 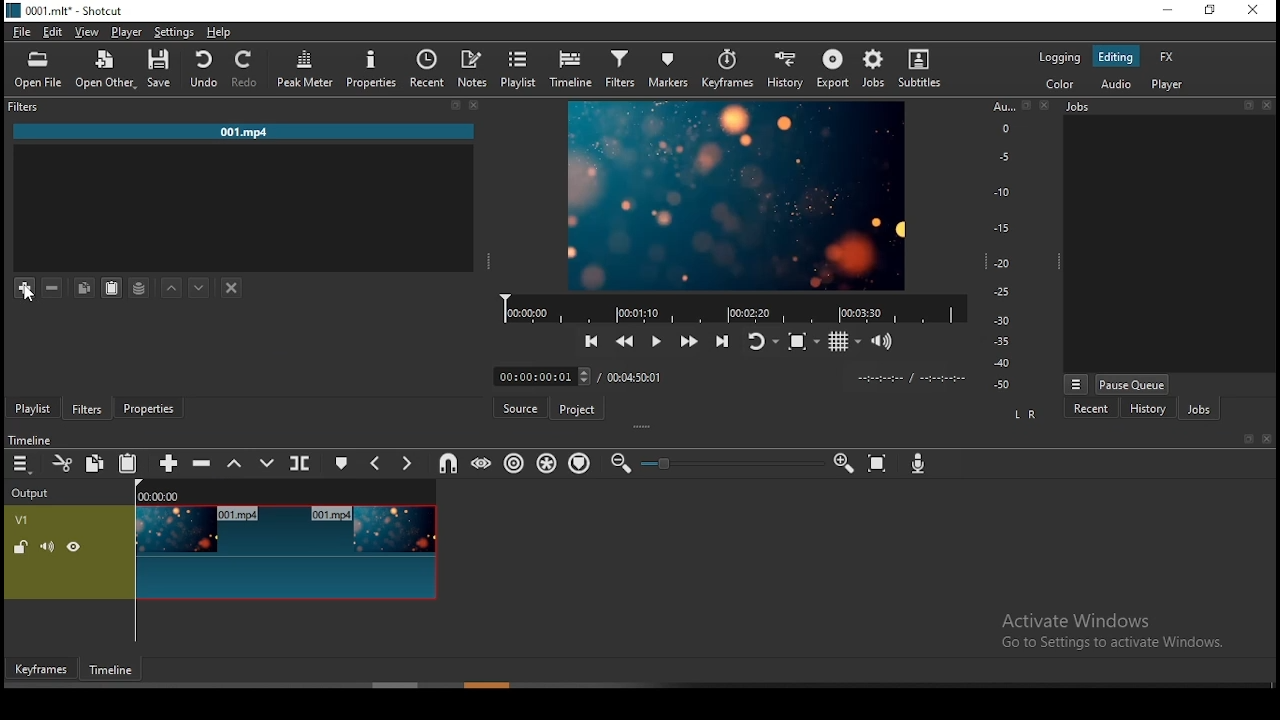 I want to click on restore, so click(x=1211, y=9).